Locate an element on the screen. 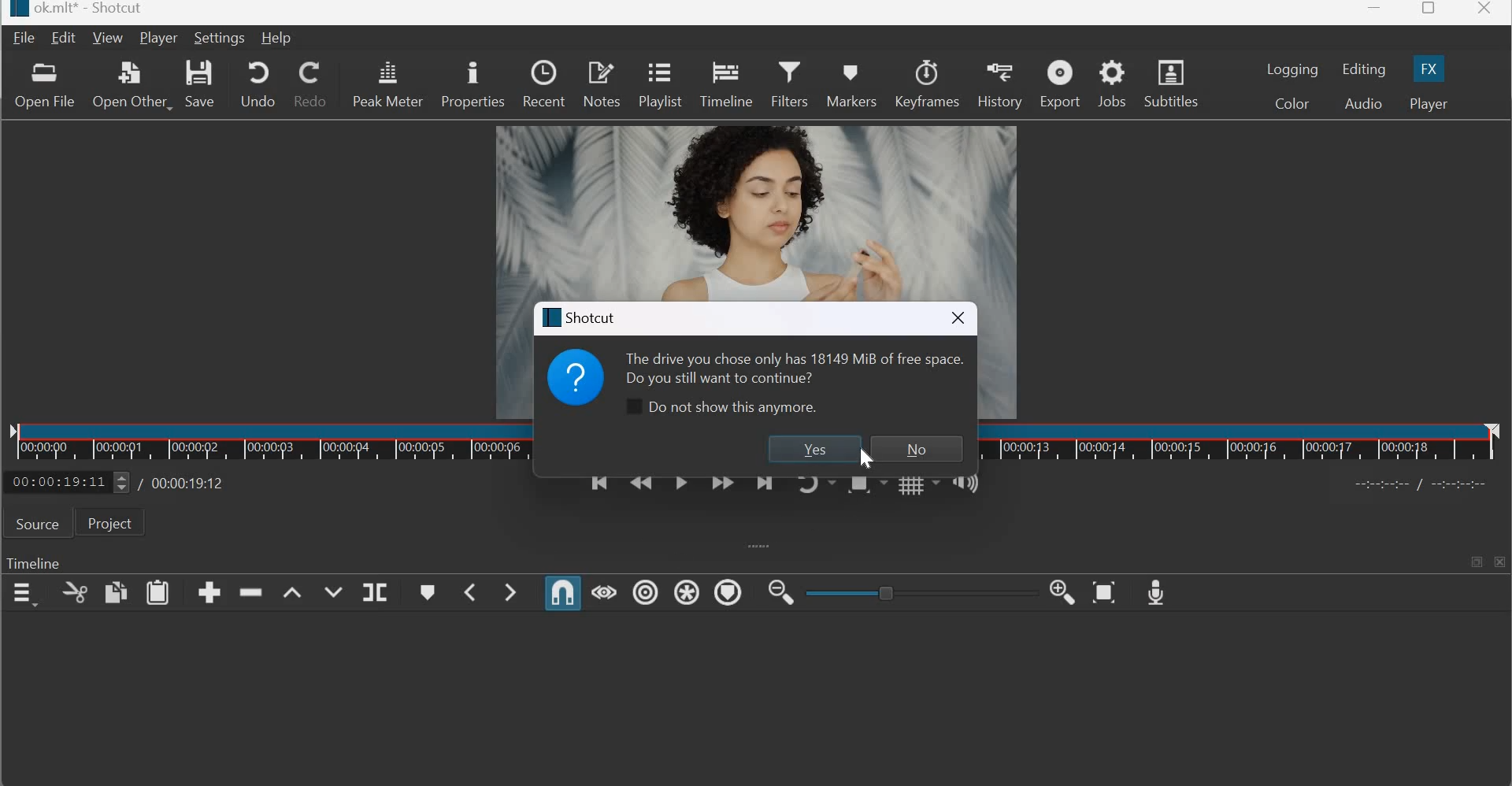 The height and width of the screenshot is (786, 1512). Keyframes is located at coordinates (928, 83).